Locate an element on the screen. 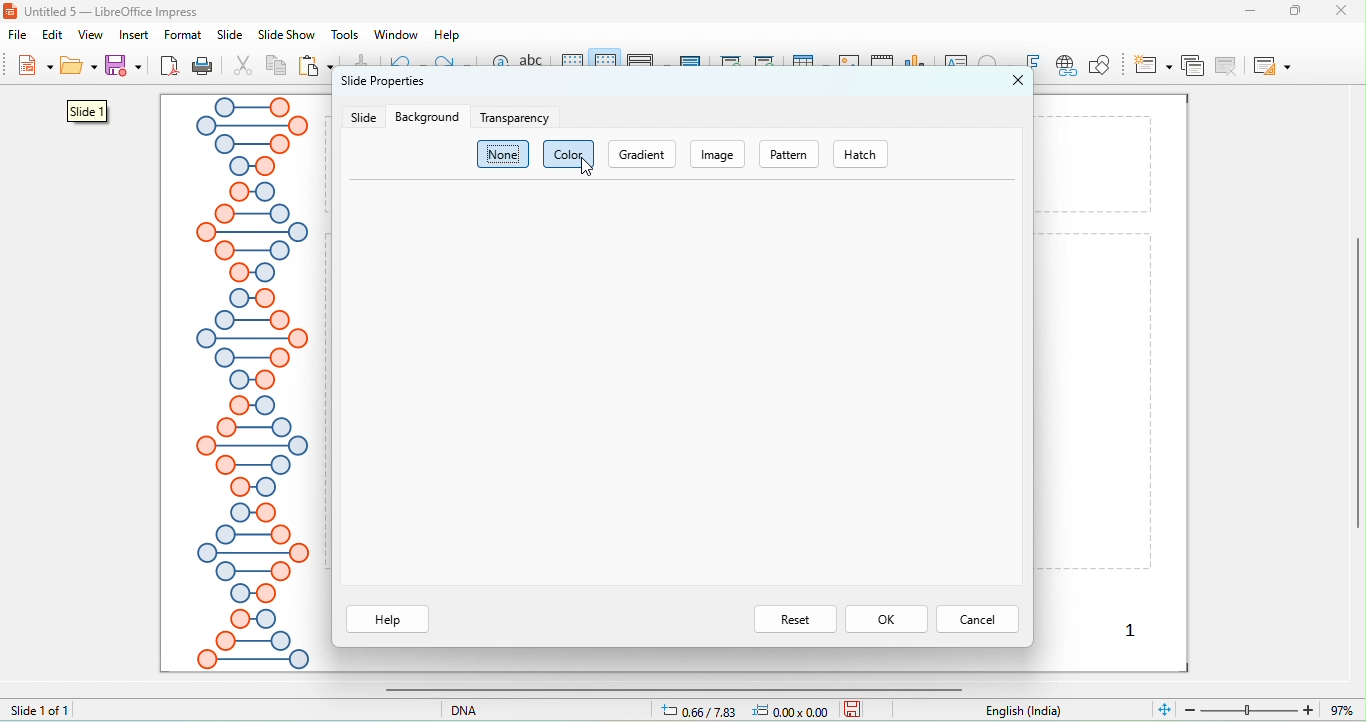  insert is located at coordinates (135, 35).